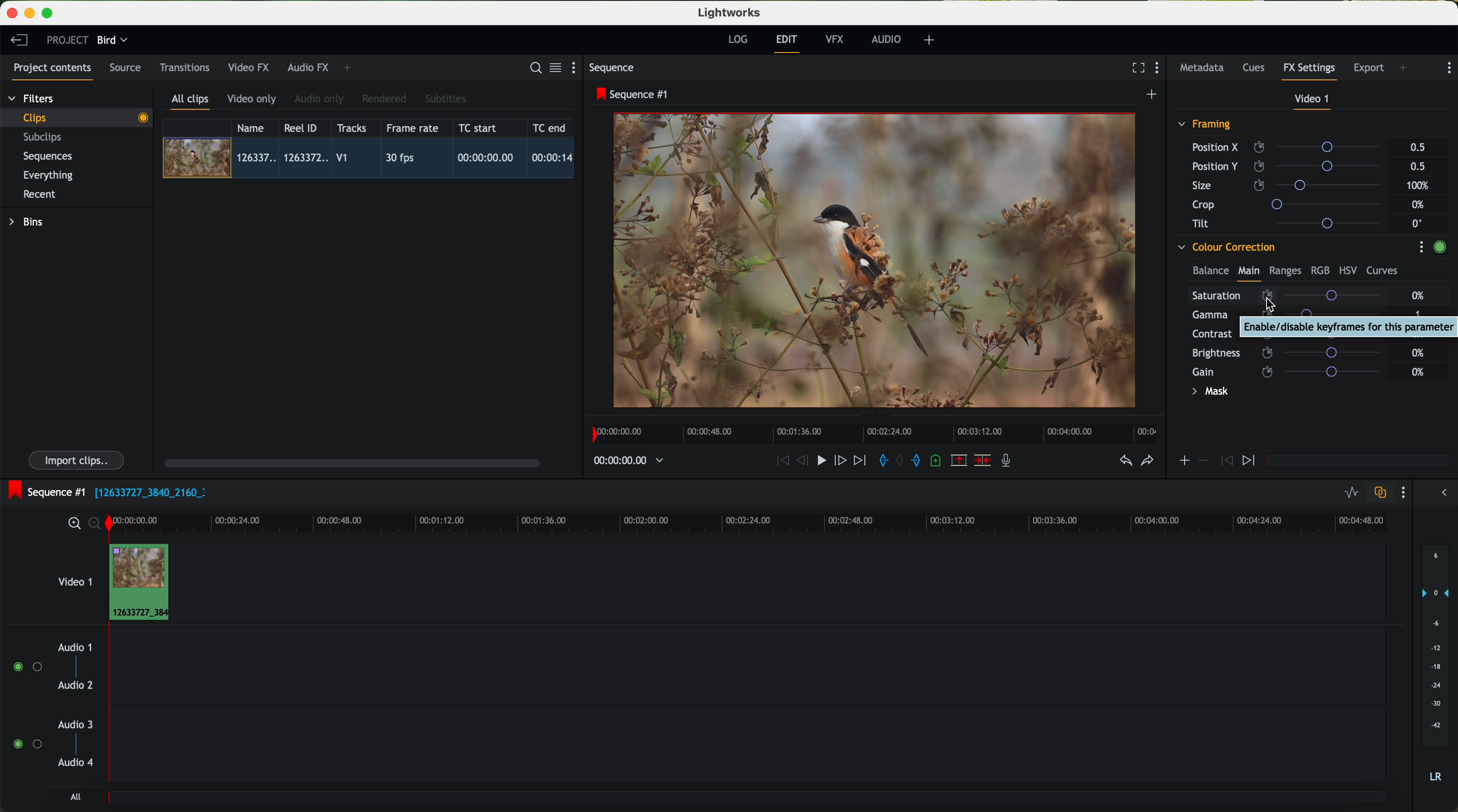 The height and width of the screenshot is (812, 1458). I want to click on 0%, so click(1420, 334).